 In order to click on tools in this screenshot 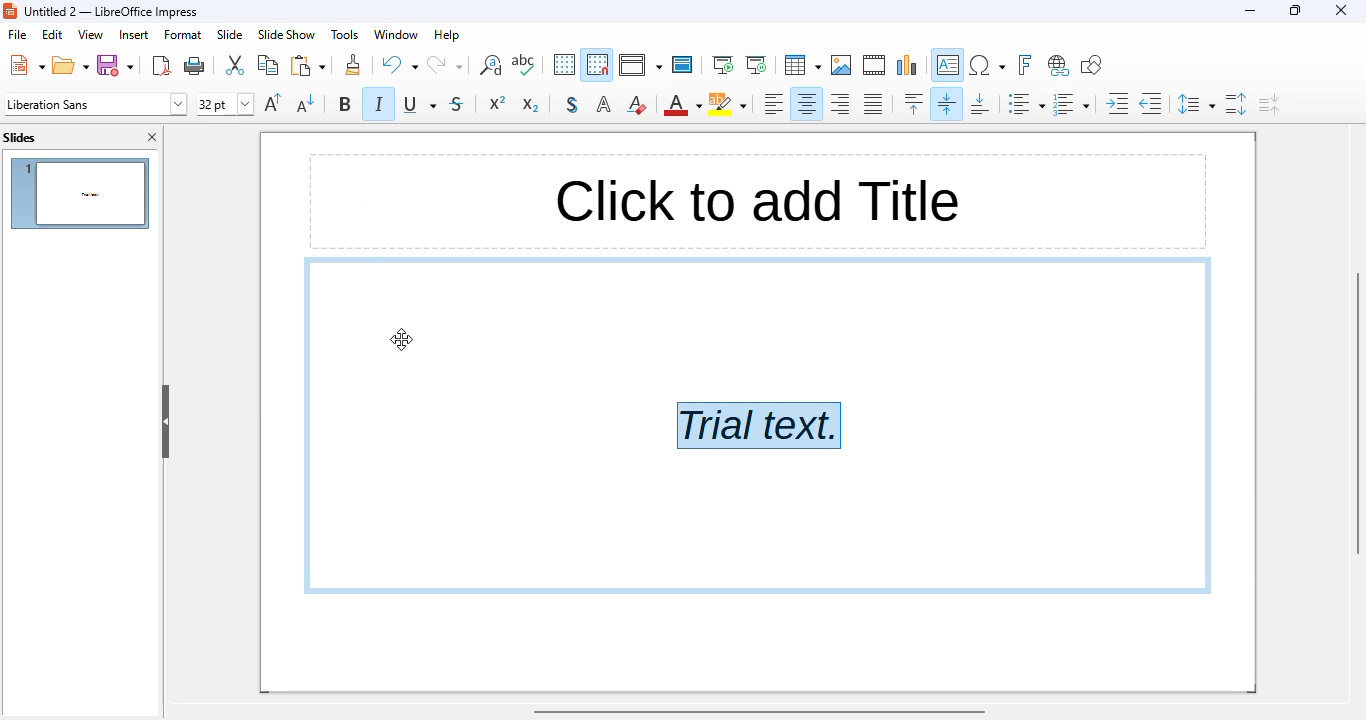, I will do `click(344, 34)`.